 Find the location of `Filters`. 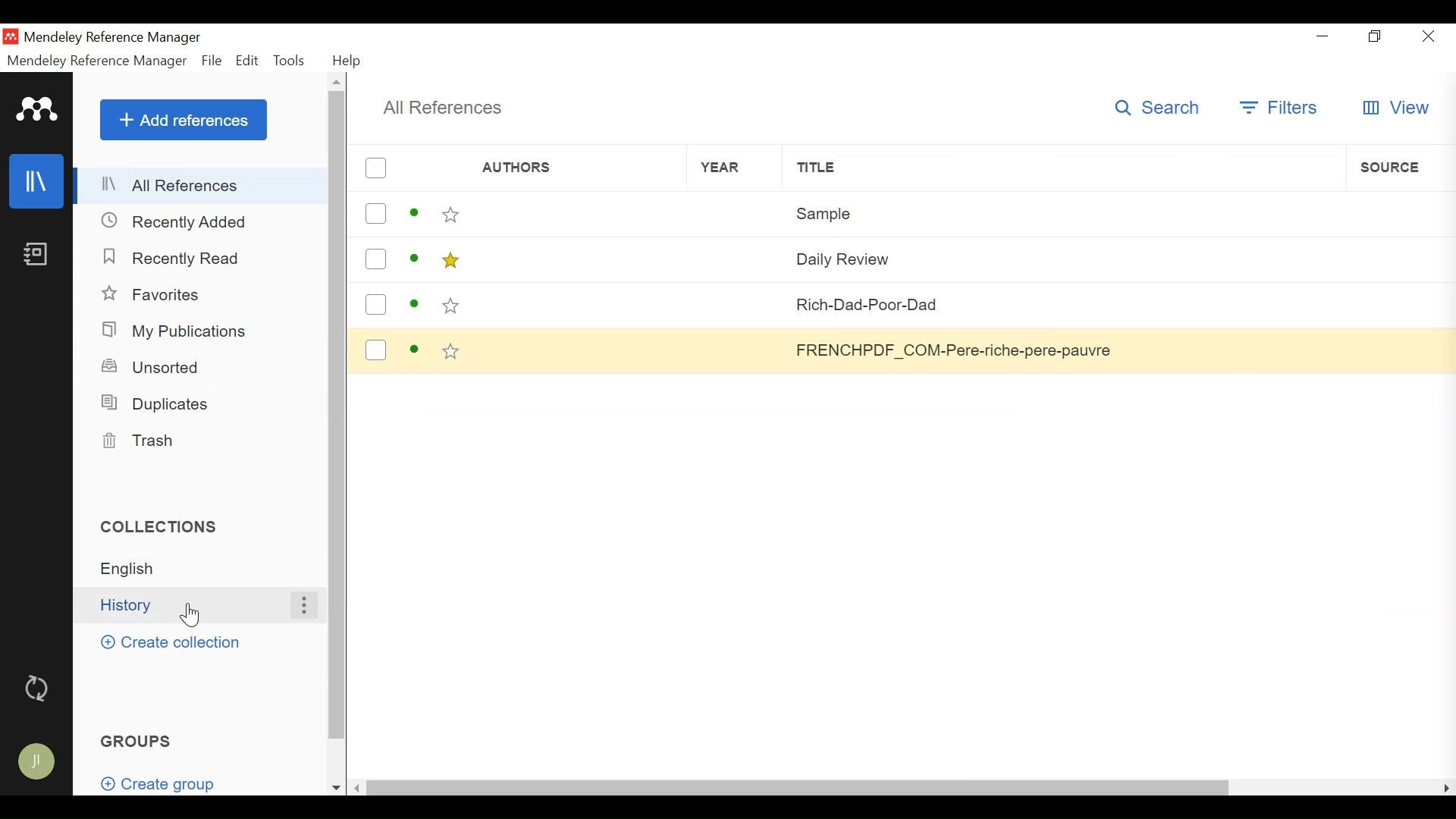

Filters is located at coordinates (1281, 108).